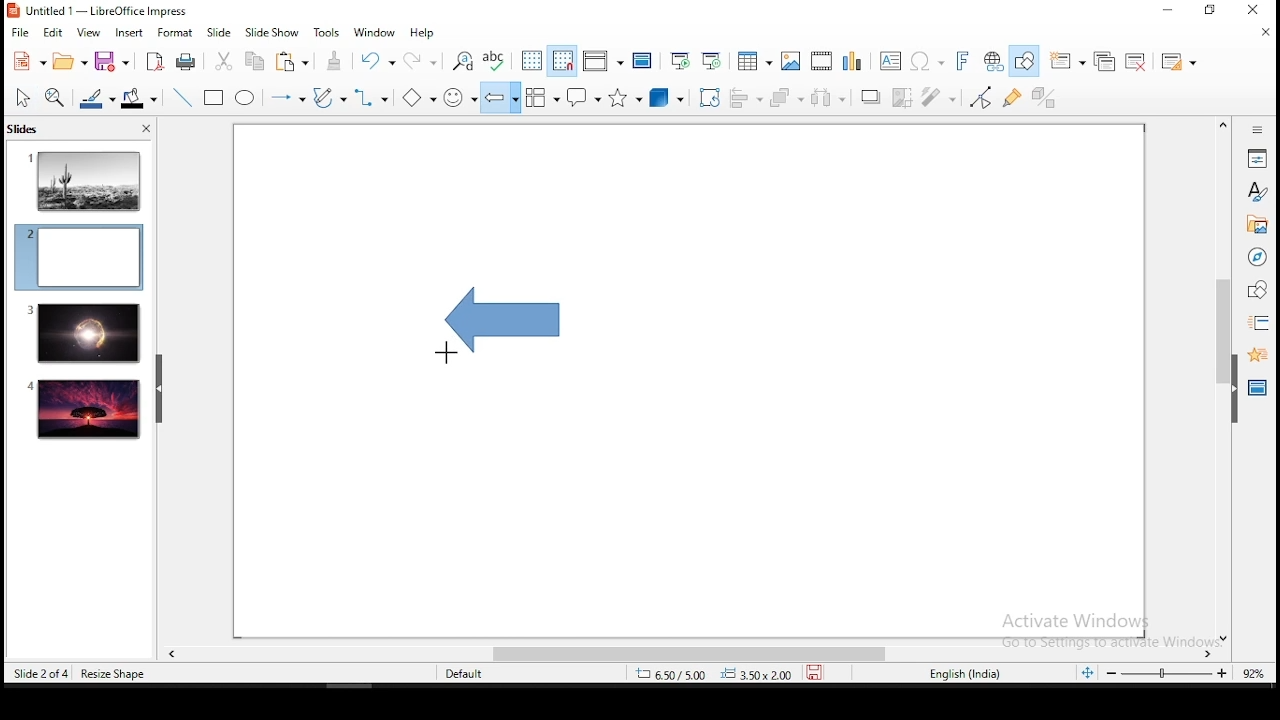 This screenshot has height=720, width=1280. I want to click on export as pdf, so click(153, 61).